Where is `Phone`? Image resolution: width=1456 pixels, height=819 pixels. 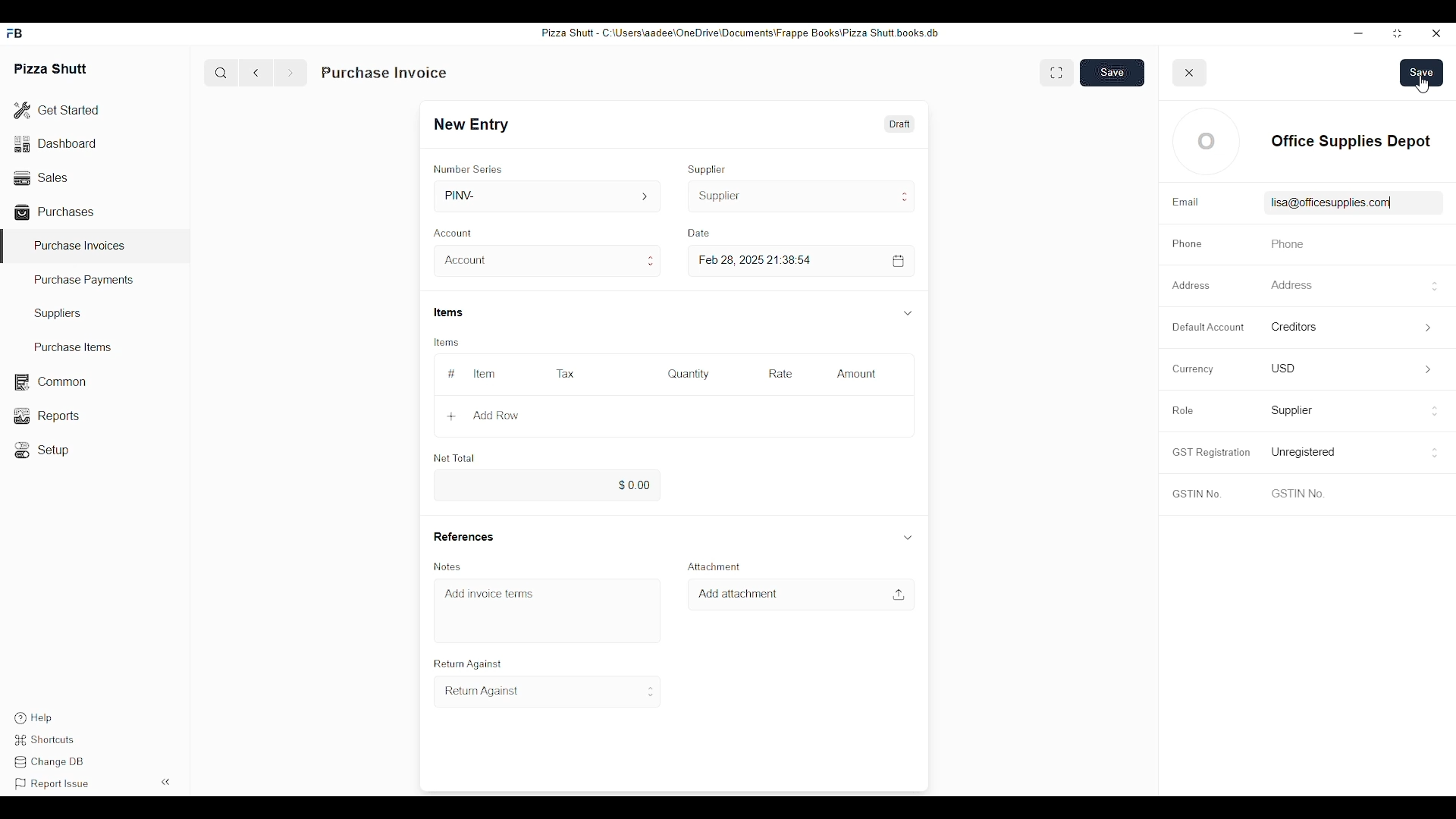
Phone is located at coordinates (1187, 244).